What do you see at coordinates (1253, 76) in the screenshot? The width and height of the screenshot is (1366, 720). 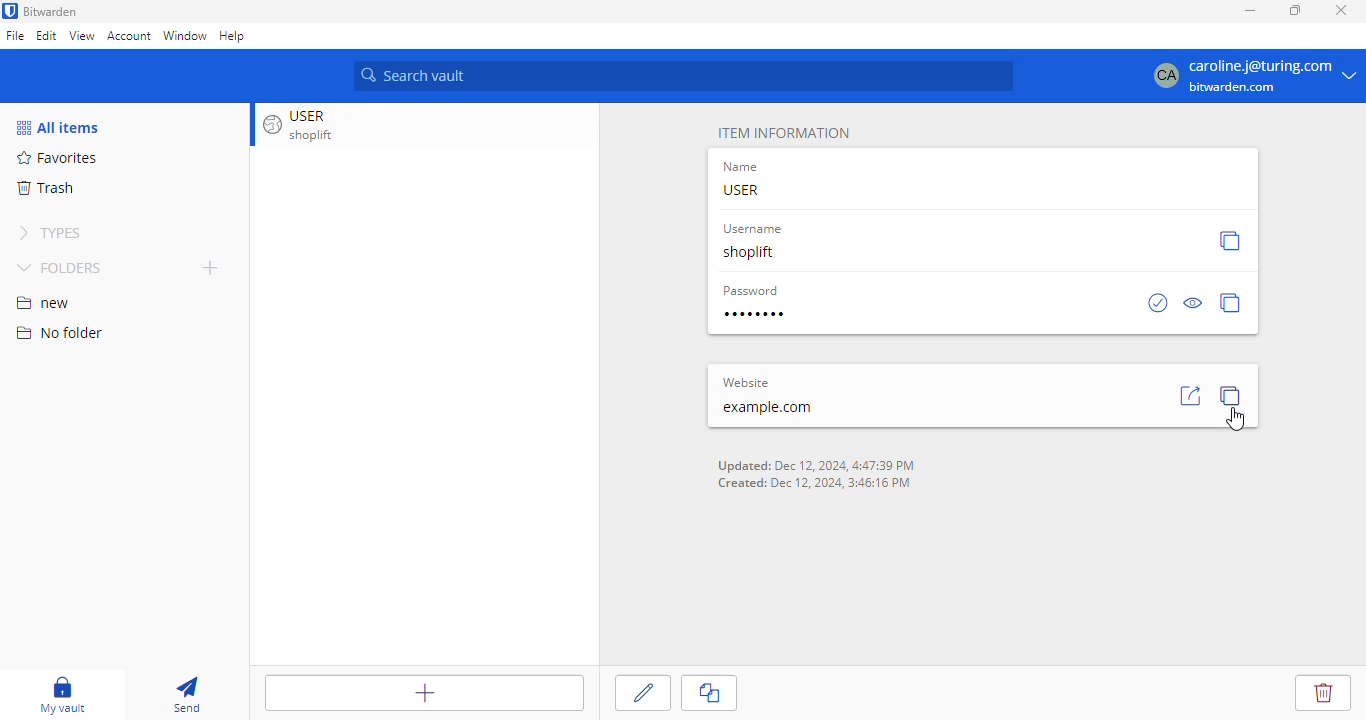 I see `caroline.j@turing.com  bitwarden.com` at bounding box center [1253, 76].